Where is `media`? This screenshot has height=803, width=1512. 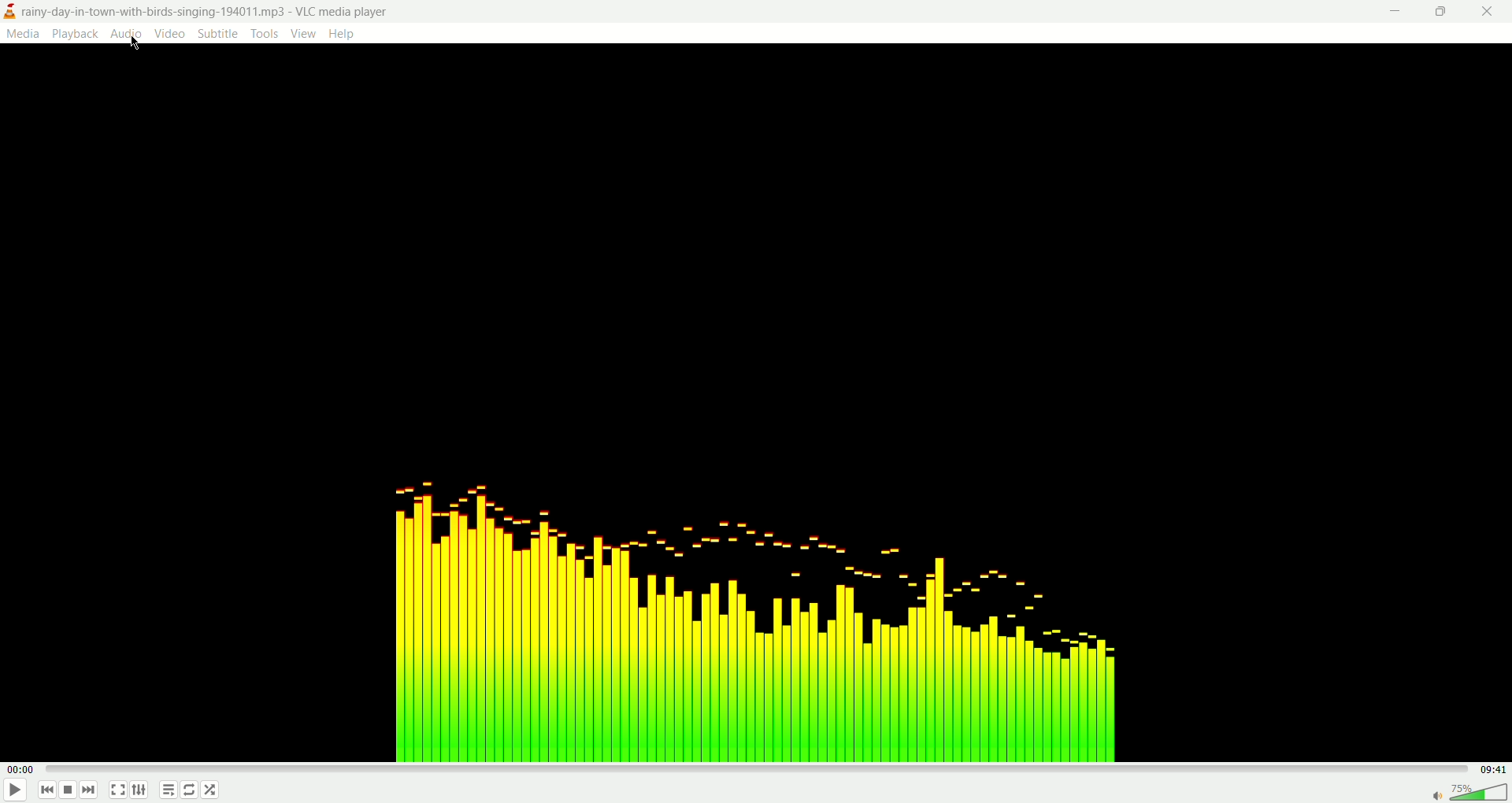 media is located at coordinates (24, 34).